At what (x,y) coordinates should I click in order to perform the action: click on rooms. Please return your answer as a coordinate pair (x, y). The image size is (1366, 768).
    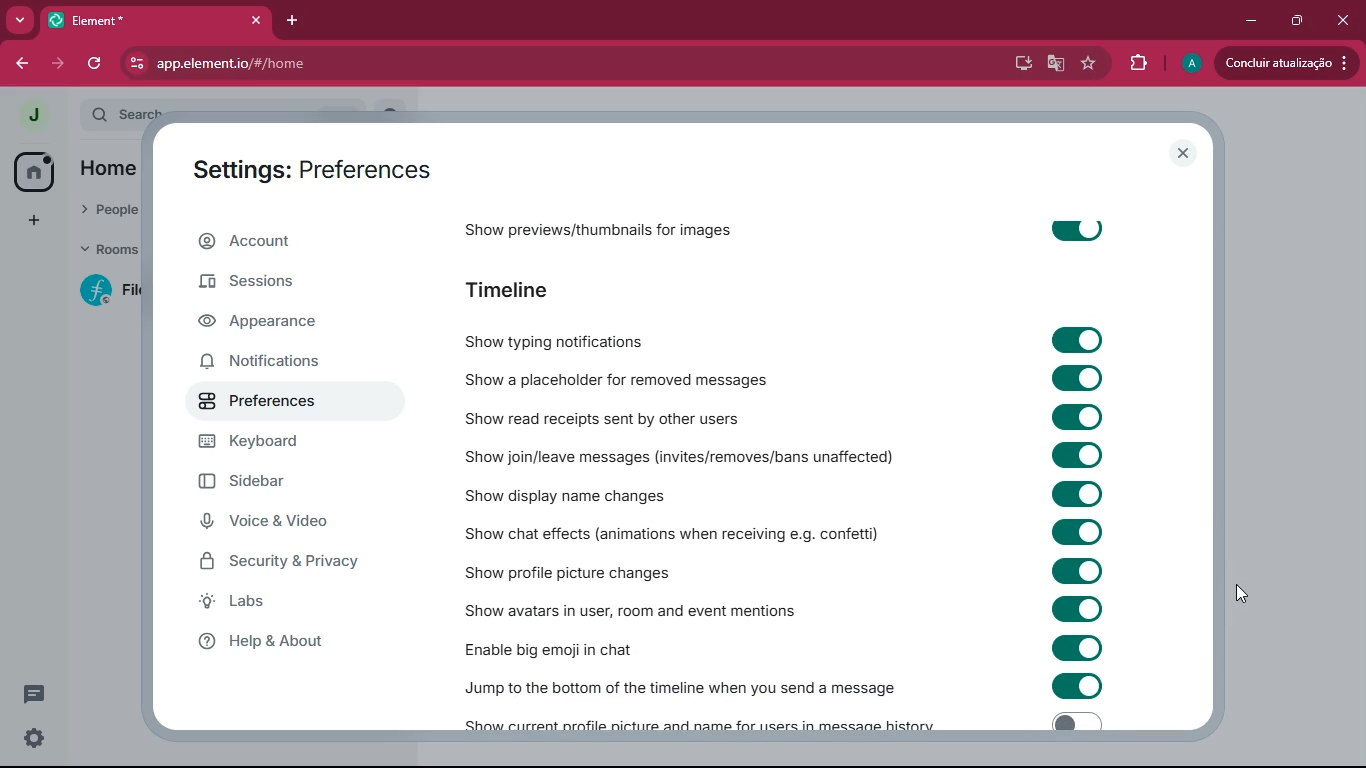
    Looking at the image, I should click on (107, 252).